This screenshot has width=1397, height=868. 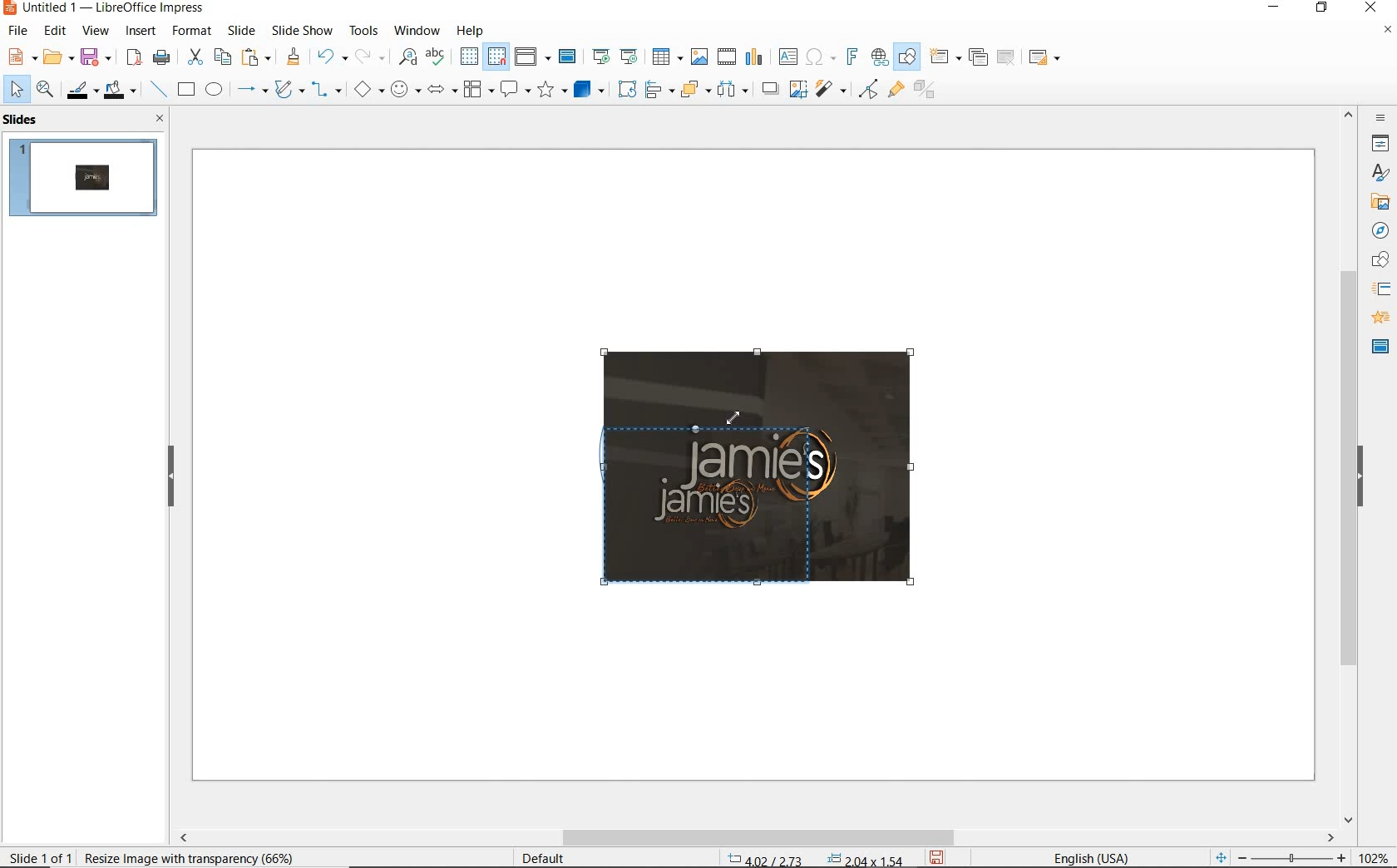 I want to click on slide layout, so click(x=1045, y=58).